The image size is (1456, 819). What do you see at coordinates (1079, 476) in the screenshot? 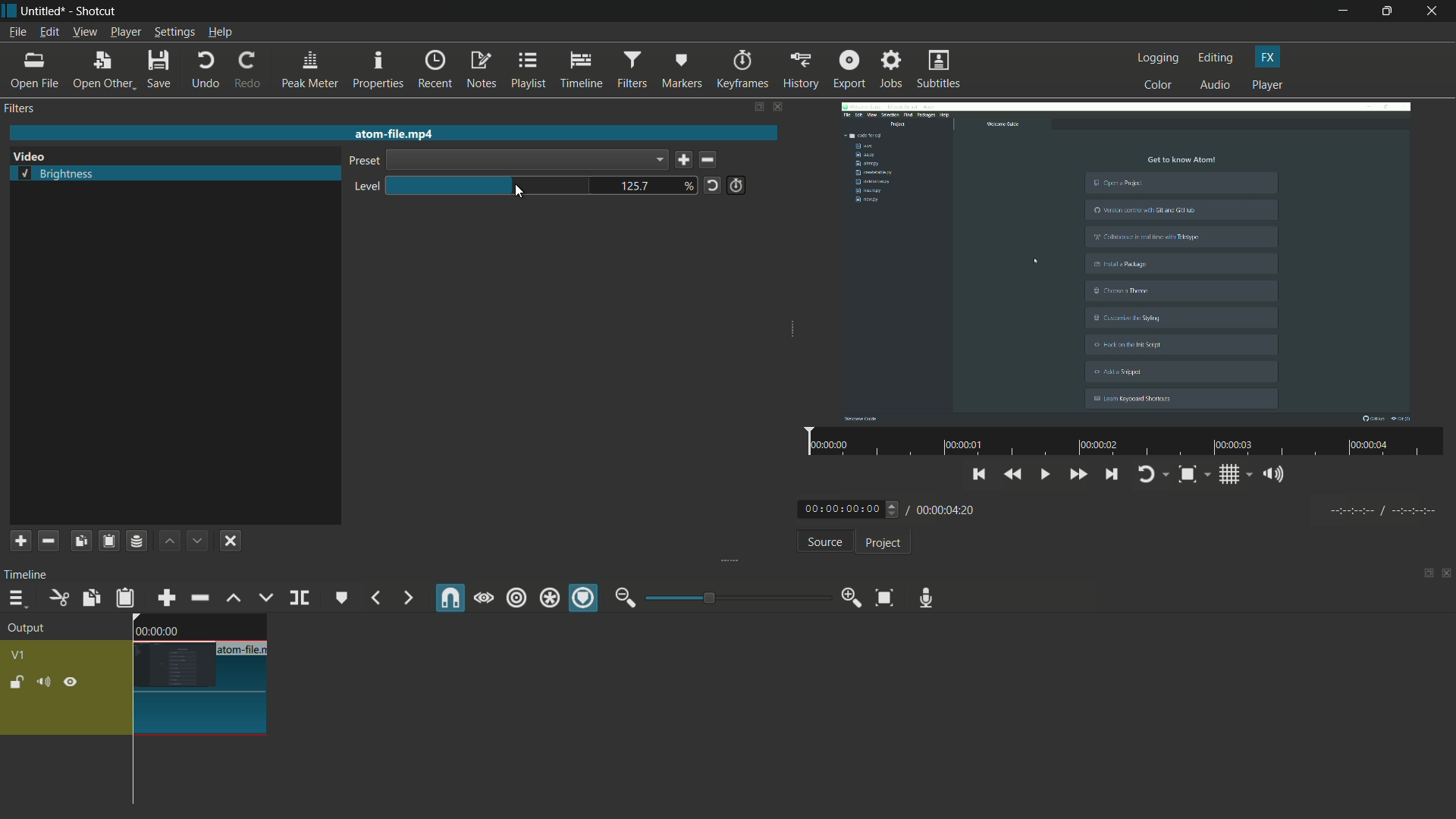
I see `quickly play forward` at bounding box center [1079, 476].